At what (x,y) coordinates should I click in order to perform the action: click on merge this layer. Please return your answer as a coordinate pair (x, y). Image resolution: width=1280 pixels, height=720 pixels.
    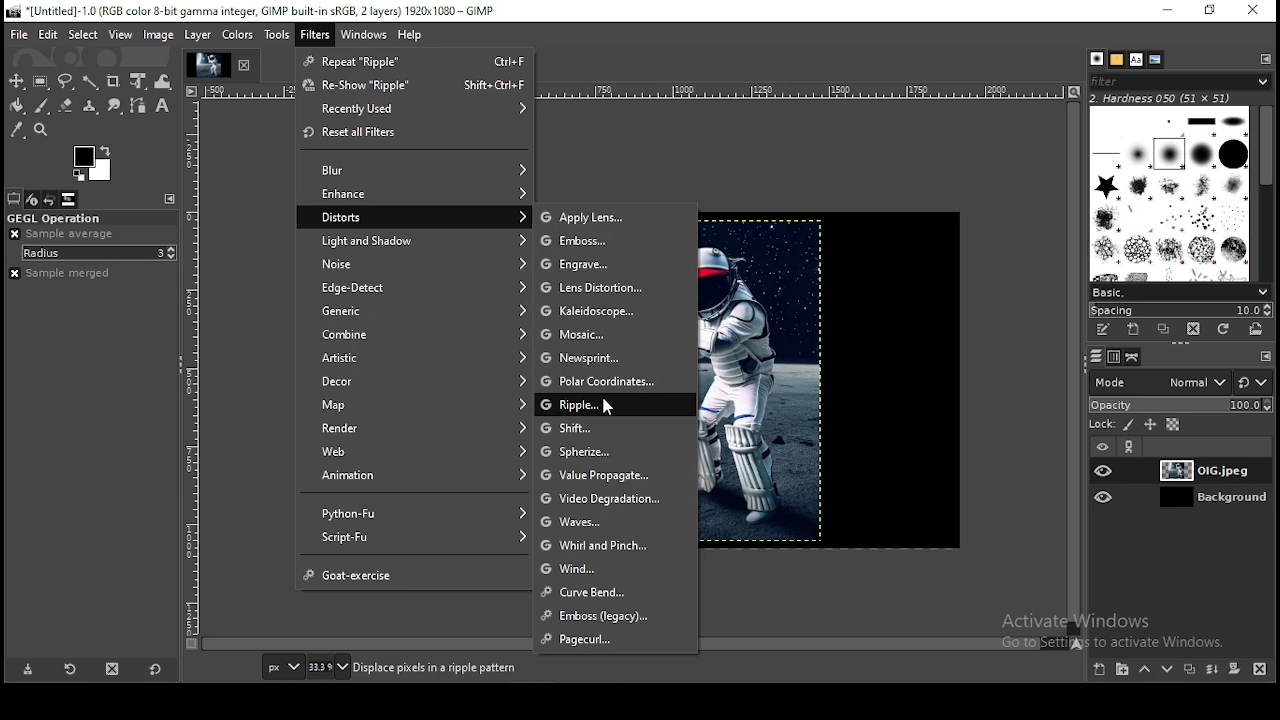
    Looking at the image, I should click on (1213, 670).